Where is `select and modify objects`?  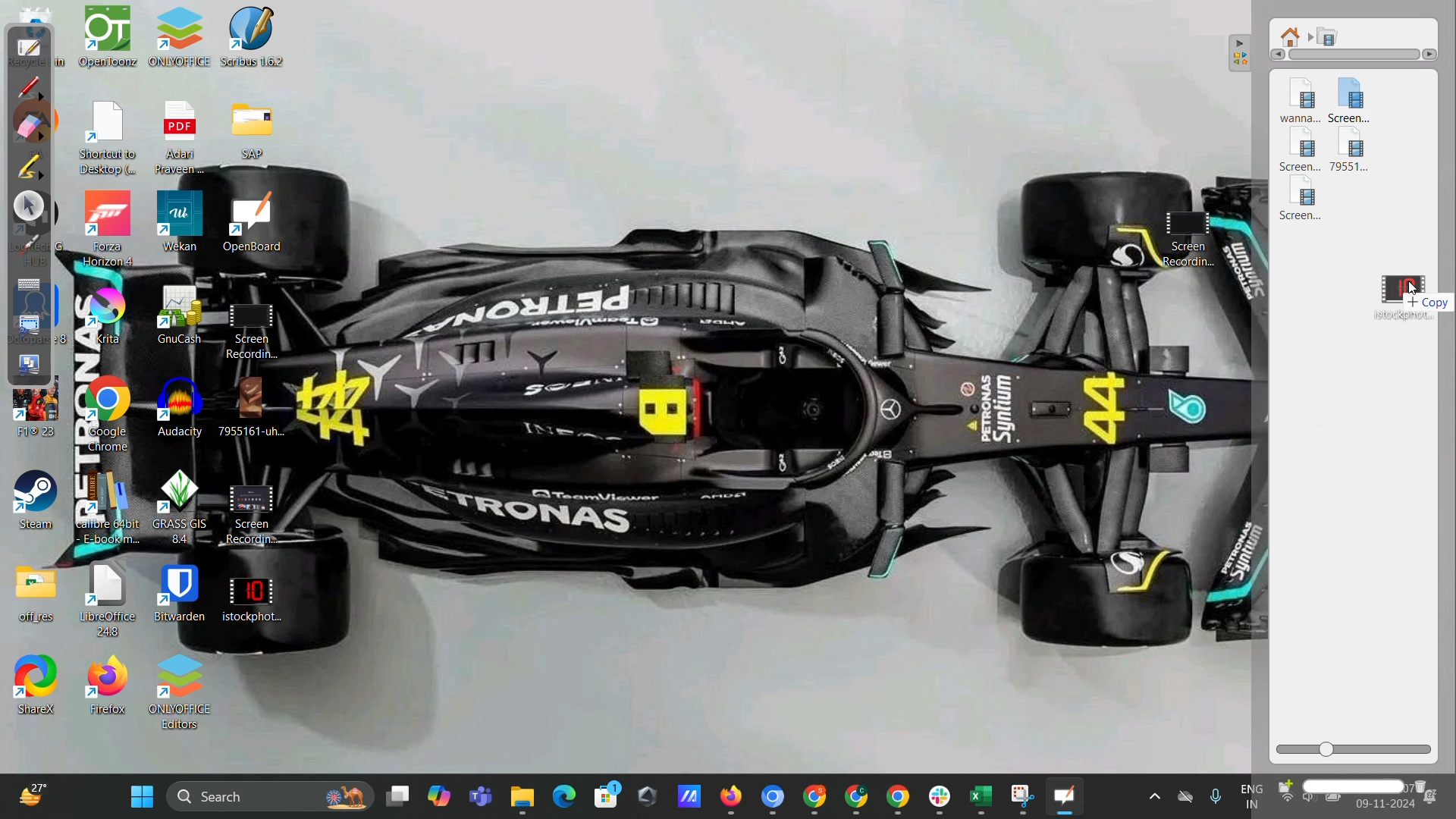 select and modify objects is located at coordinates (27, 206).